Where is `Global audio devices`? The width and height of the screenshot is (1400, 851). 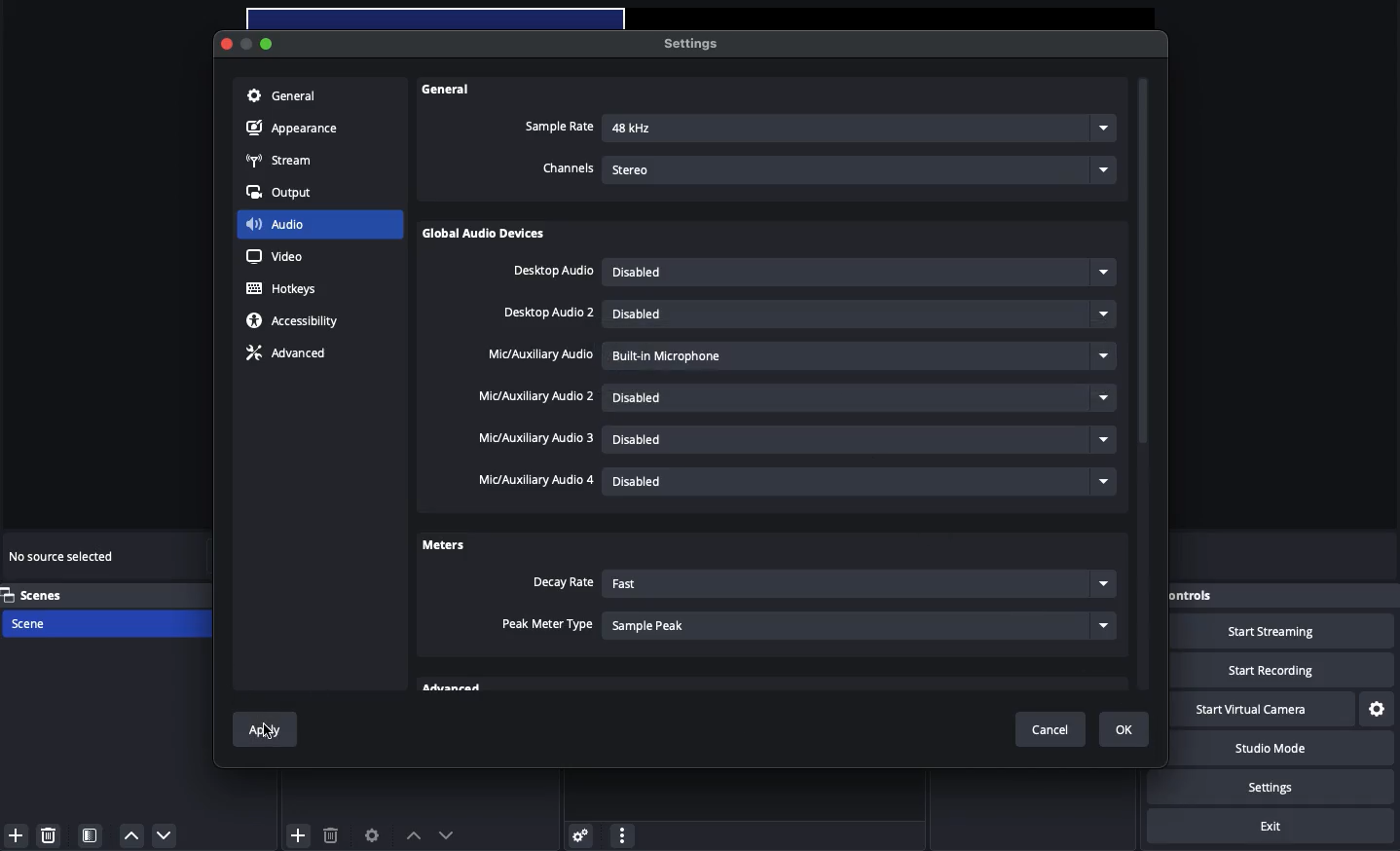 Global audio devices is located at coordinates (488, 236).